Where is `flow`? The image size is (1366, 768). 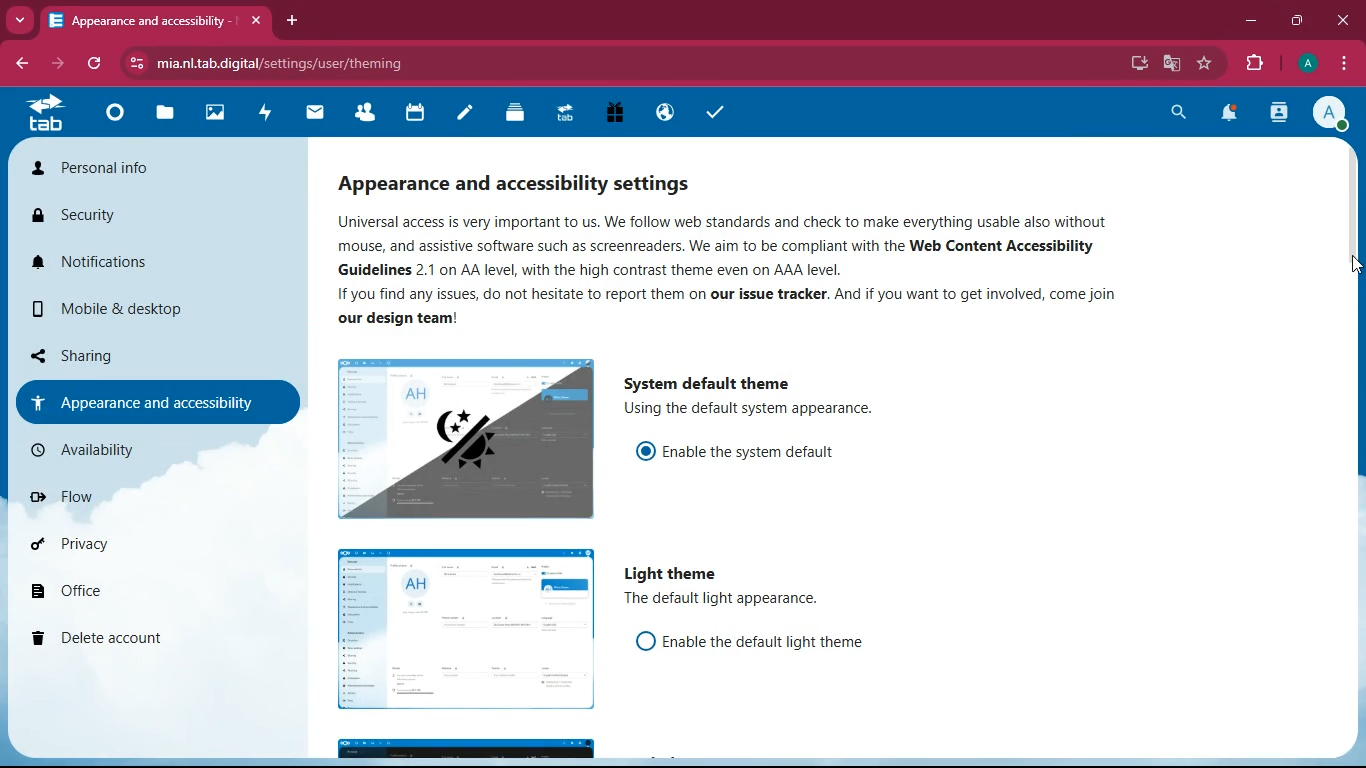 flow is located at coordinates (120, 496).